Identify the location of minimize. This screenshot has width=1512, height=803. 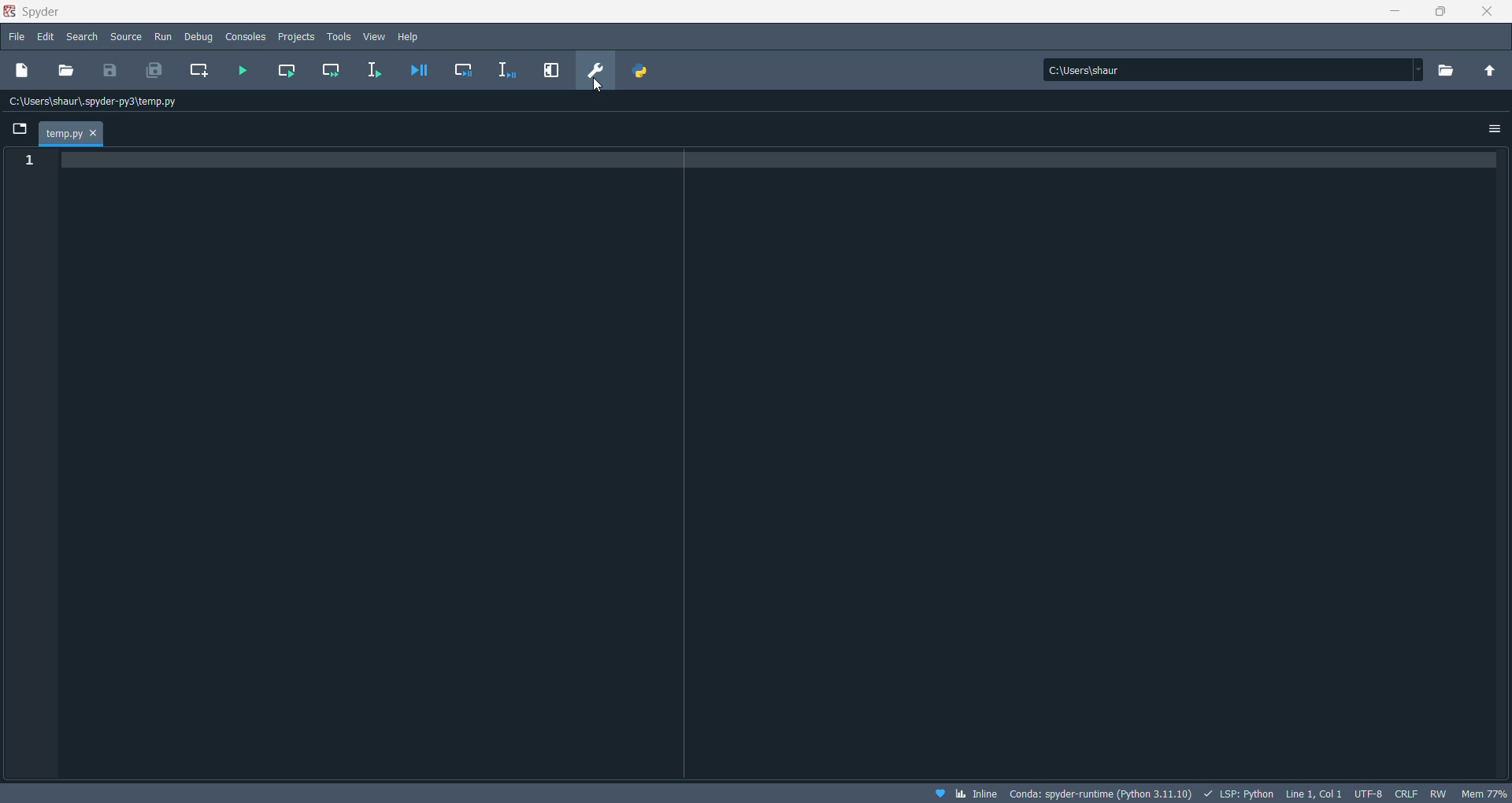
(1390, 14).